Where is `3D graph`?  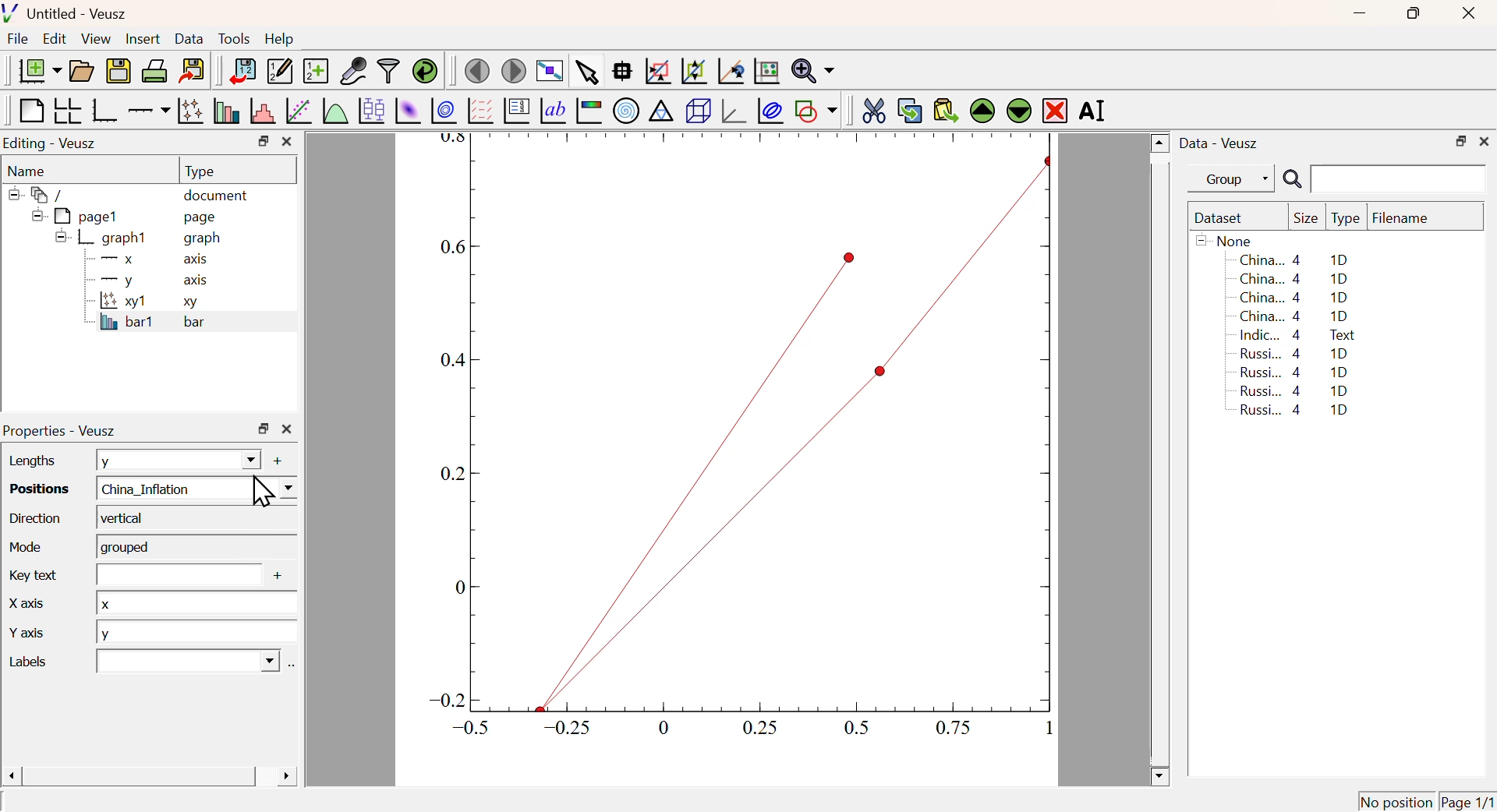
3D graph is located at coordinates (735, 112).